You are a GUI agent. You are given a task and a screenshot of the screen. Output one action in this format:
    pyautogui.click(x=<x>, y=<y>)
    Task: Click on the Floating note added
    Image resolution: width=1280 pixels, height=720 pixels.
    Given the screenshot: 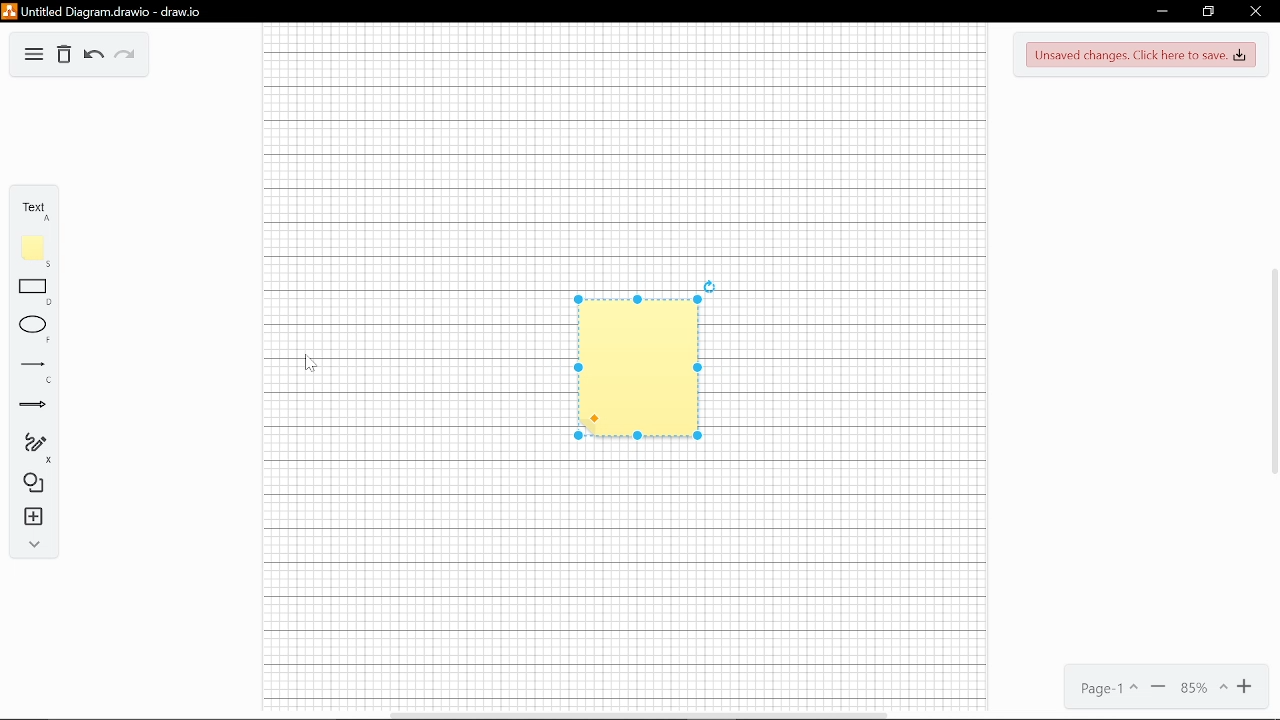 What is the action you would take?
    pyautogui.click(x=622, y=384)
    